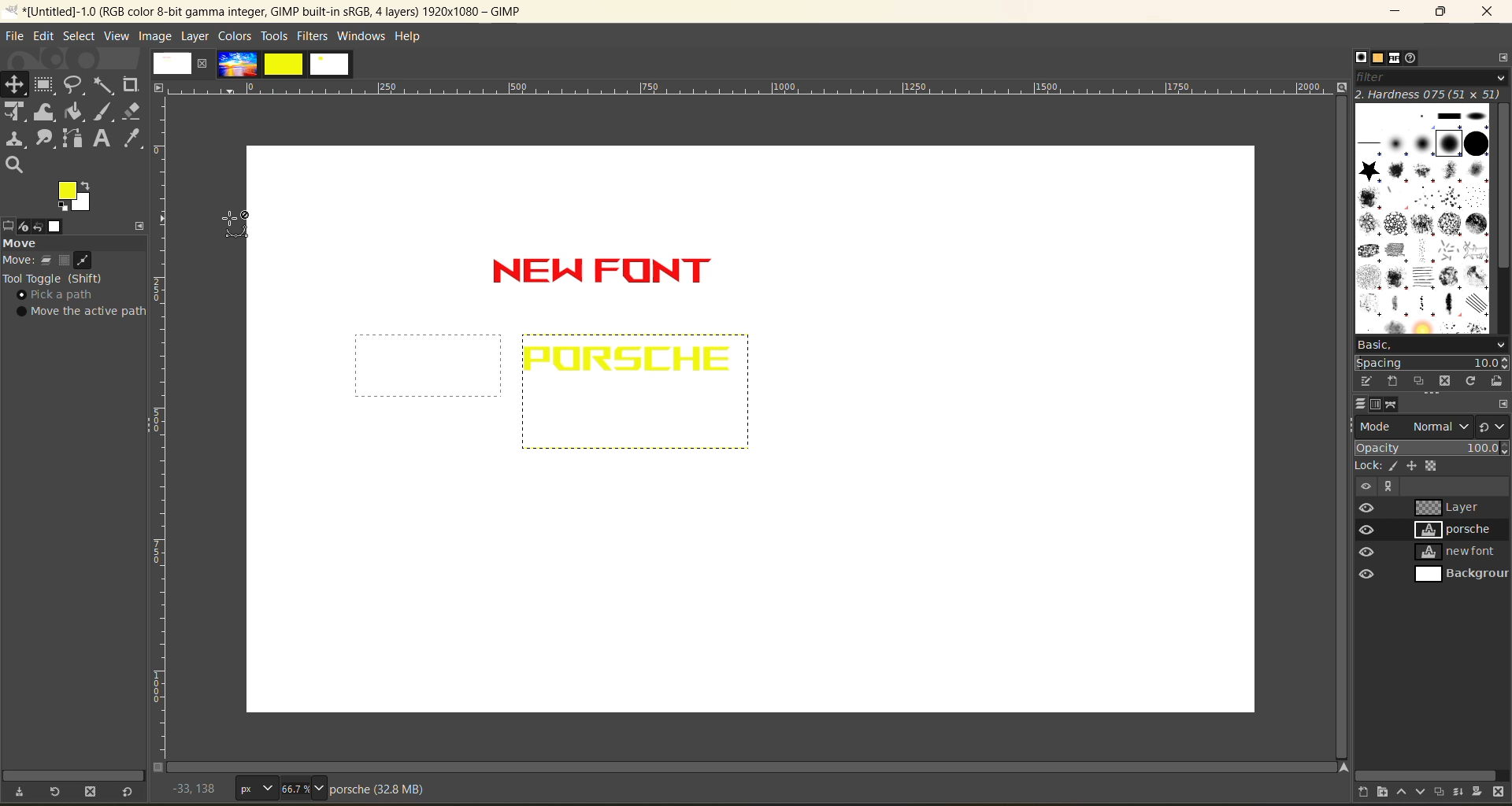 This screenshot has width=1512, height=806. What do you see at coordinates (132, 139) in the screenshot?
I see `color picker` at bounding box center [132, 139].